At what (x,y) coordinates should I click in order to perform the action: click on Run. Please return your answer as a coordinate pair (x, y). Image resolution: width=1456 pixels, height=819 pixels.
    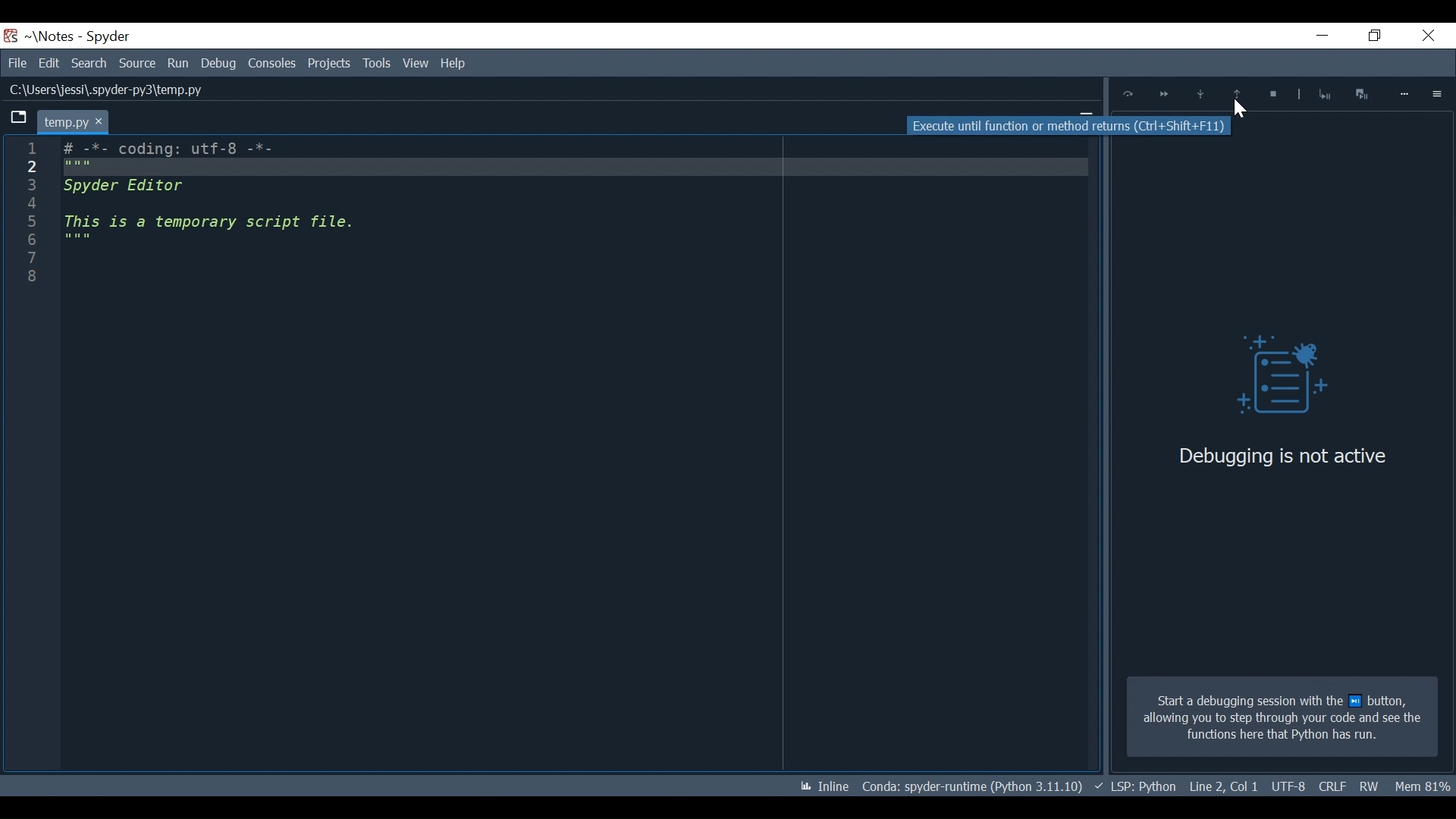
    Looking at the image, I should click on (179, 63).